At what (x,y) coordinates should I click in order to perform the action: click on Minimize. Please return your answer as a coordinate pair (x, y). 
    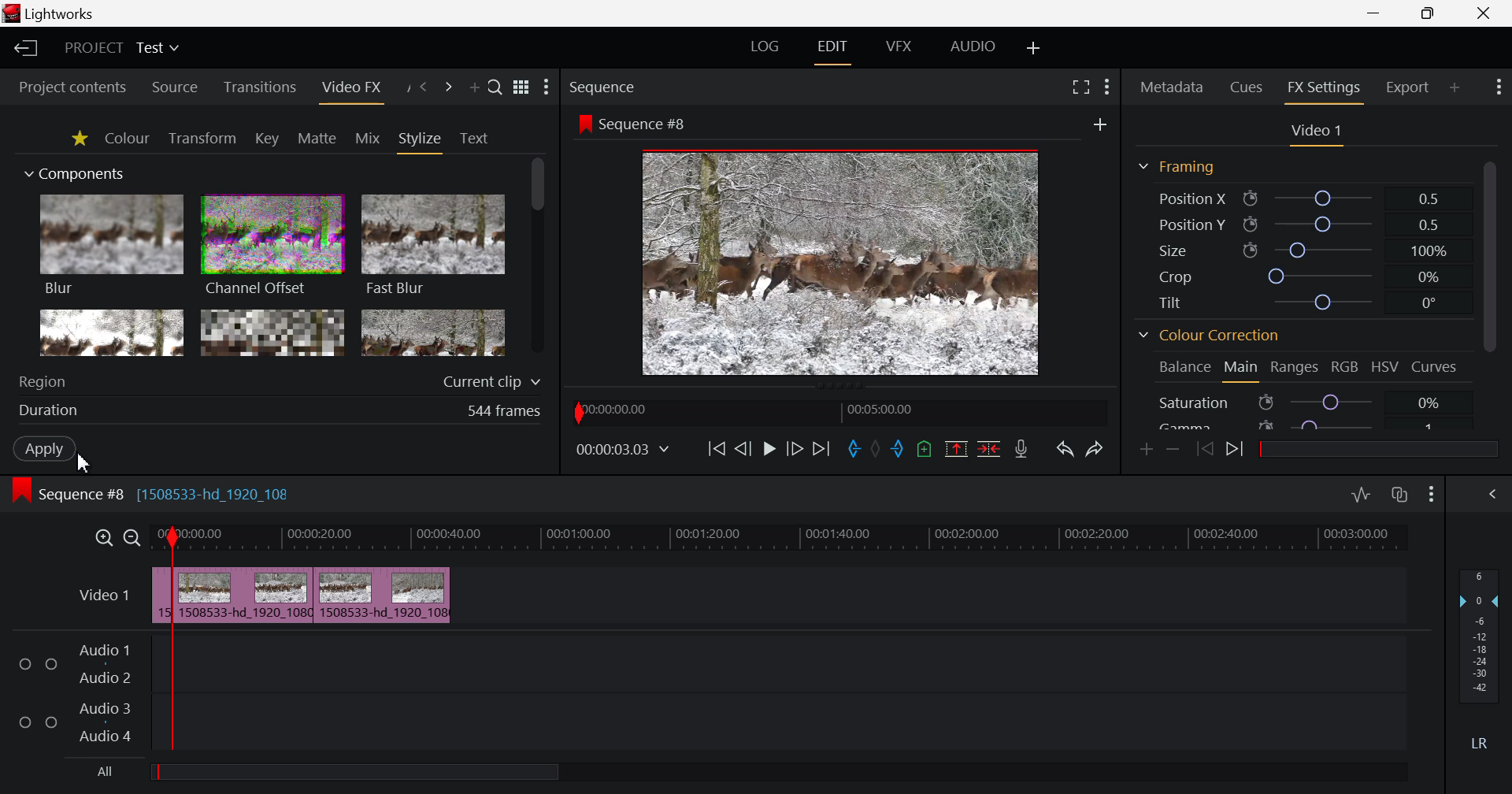
    Looking at the image, I should click on (1429, 14).